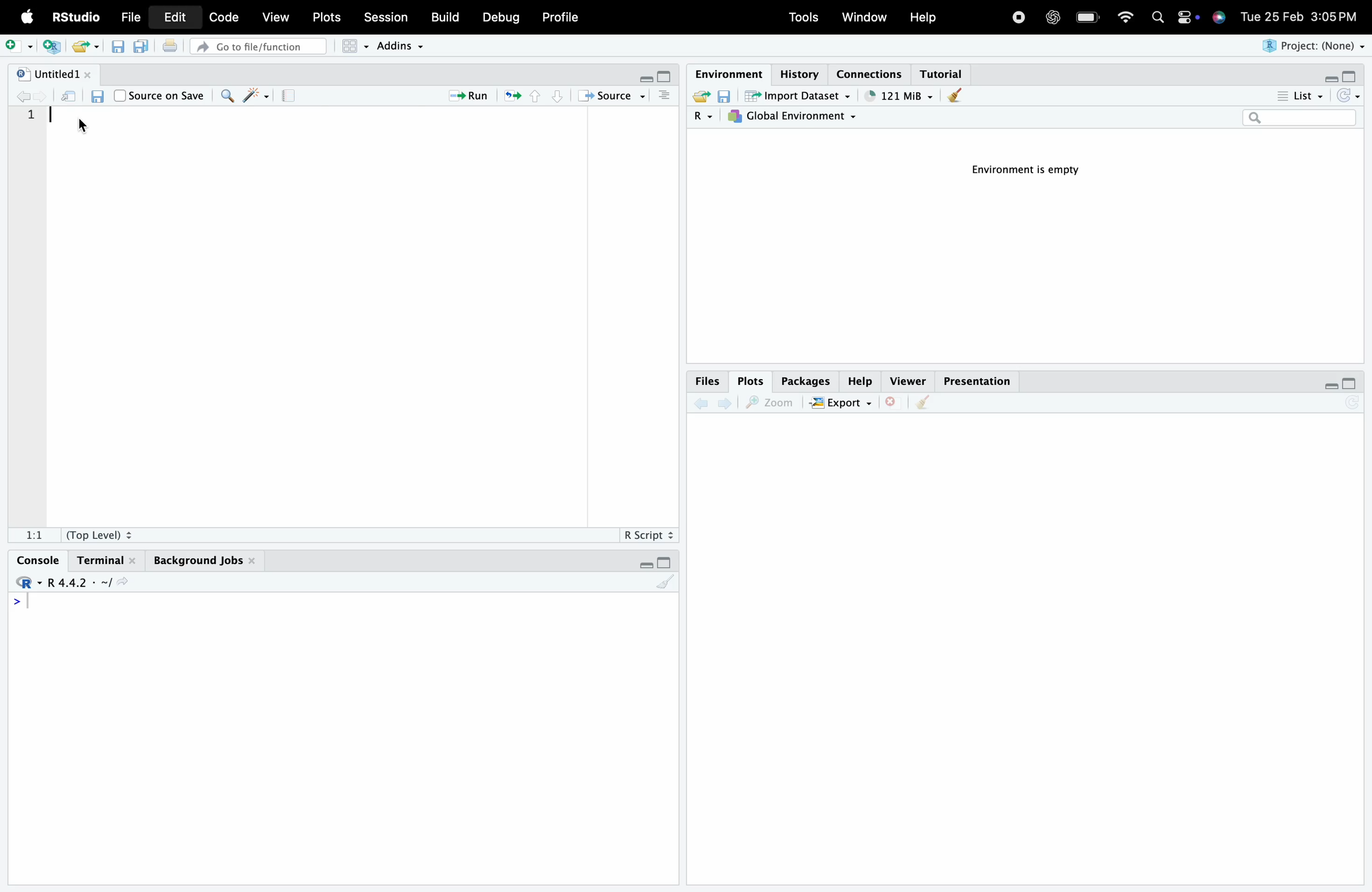 The image size is (1372, 892). Describe the element at coordinates (649, 533) in the screenshot. I see `R Script` at that location.